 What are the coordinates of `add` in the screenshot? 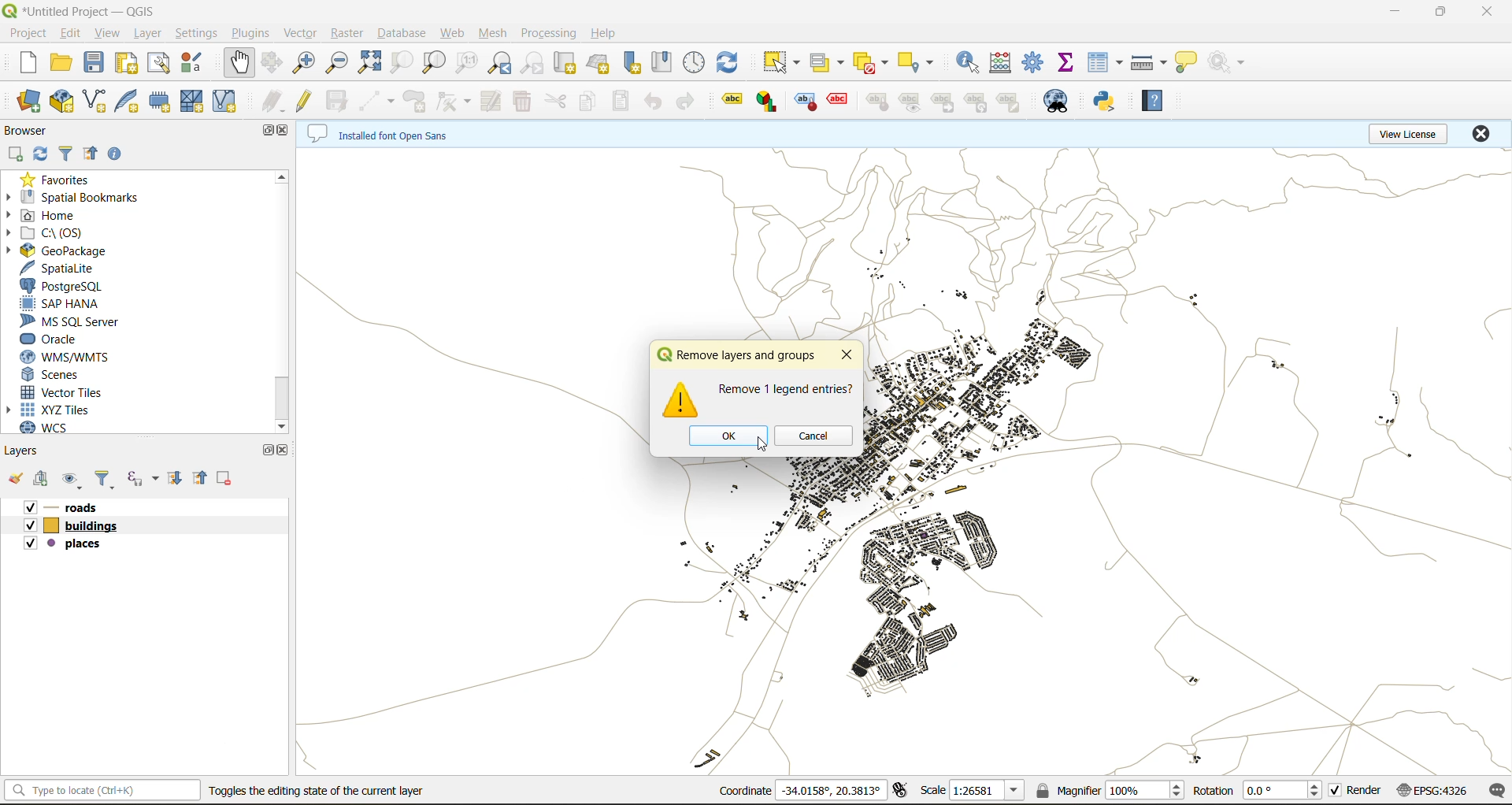 It's located at (43, 481).